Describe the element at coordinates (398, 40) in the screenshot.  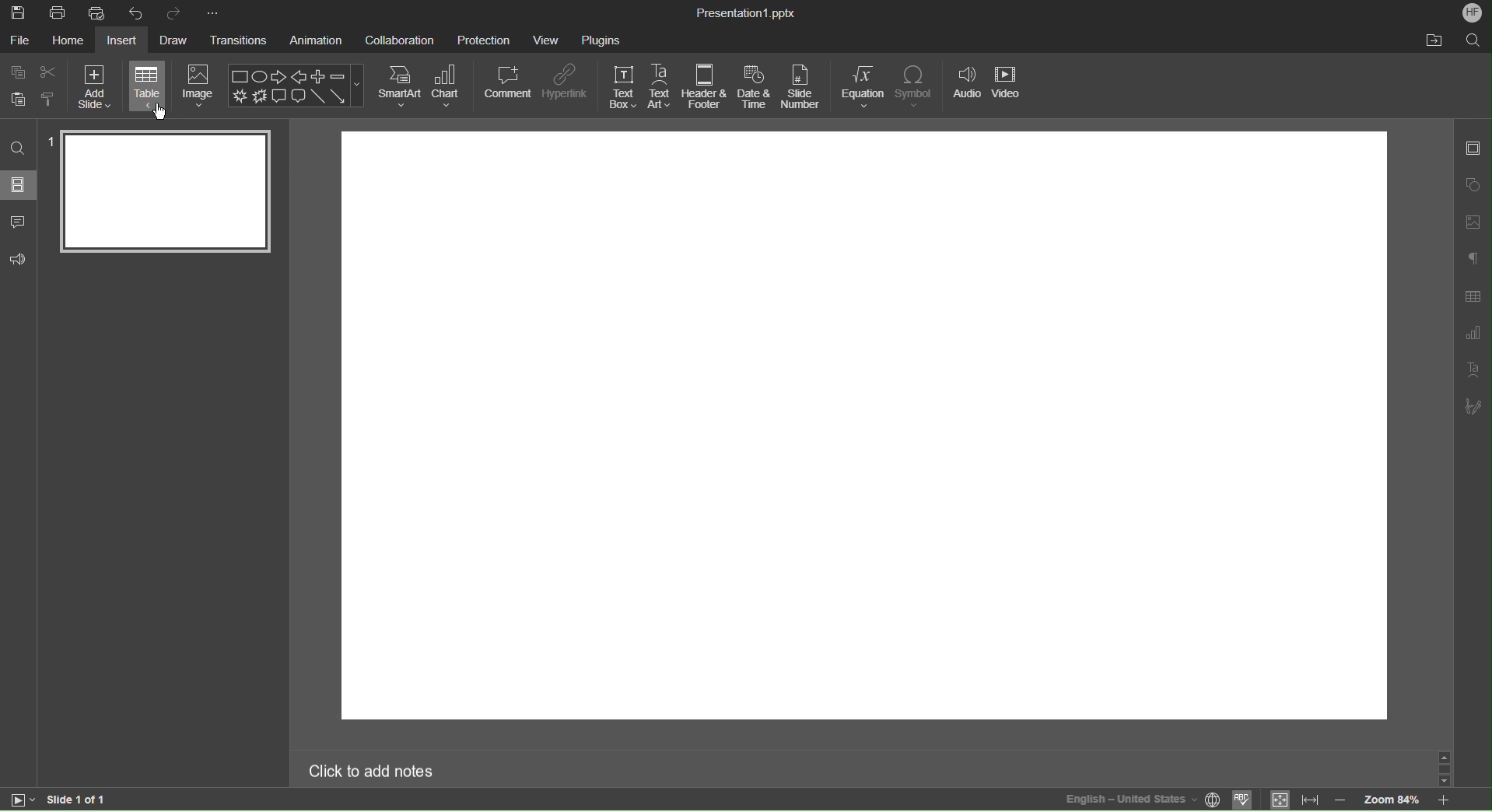
I see `Collaboration` at that location.